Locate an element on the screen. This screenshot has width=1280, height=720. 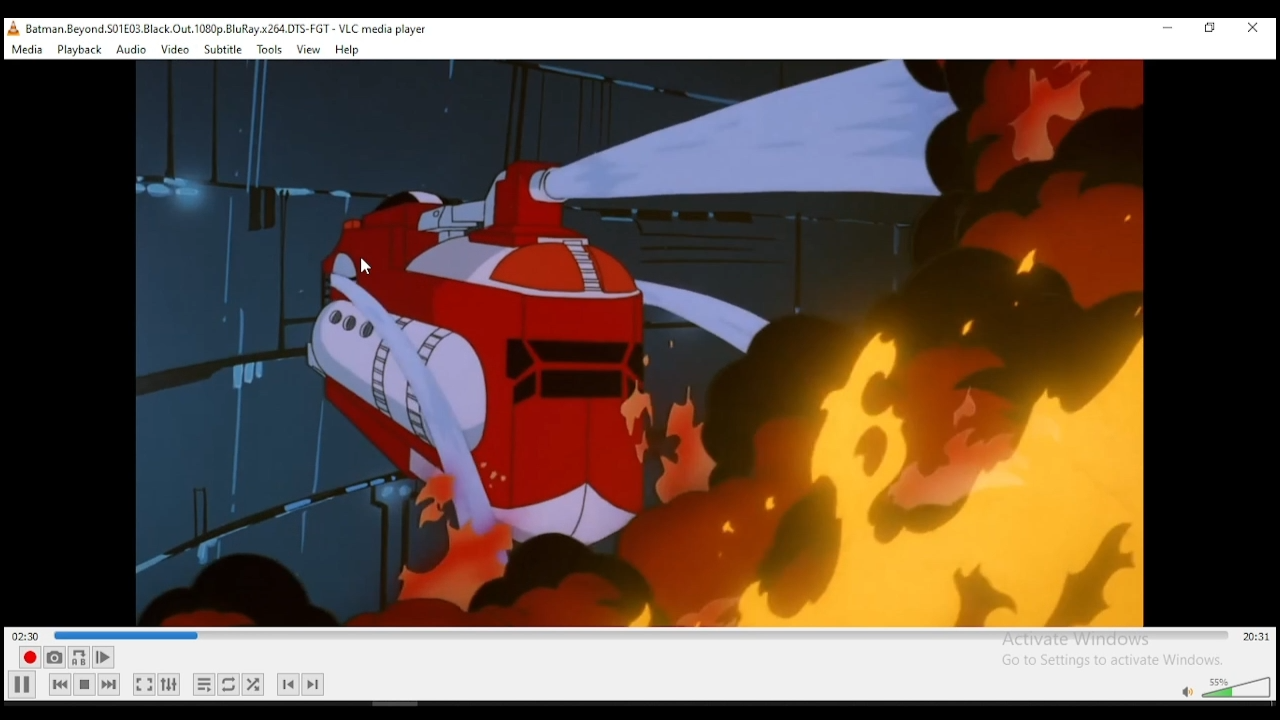
mute/unmute is located at coordinates (1184, 690).